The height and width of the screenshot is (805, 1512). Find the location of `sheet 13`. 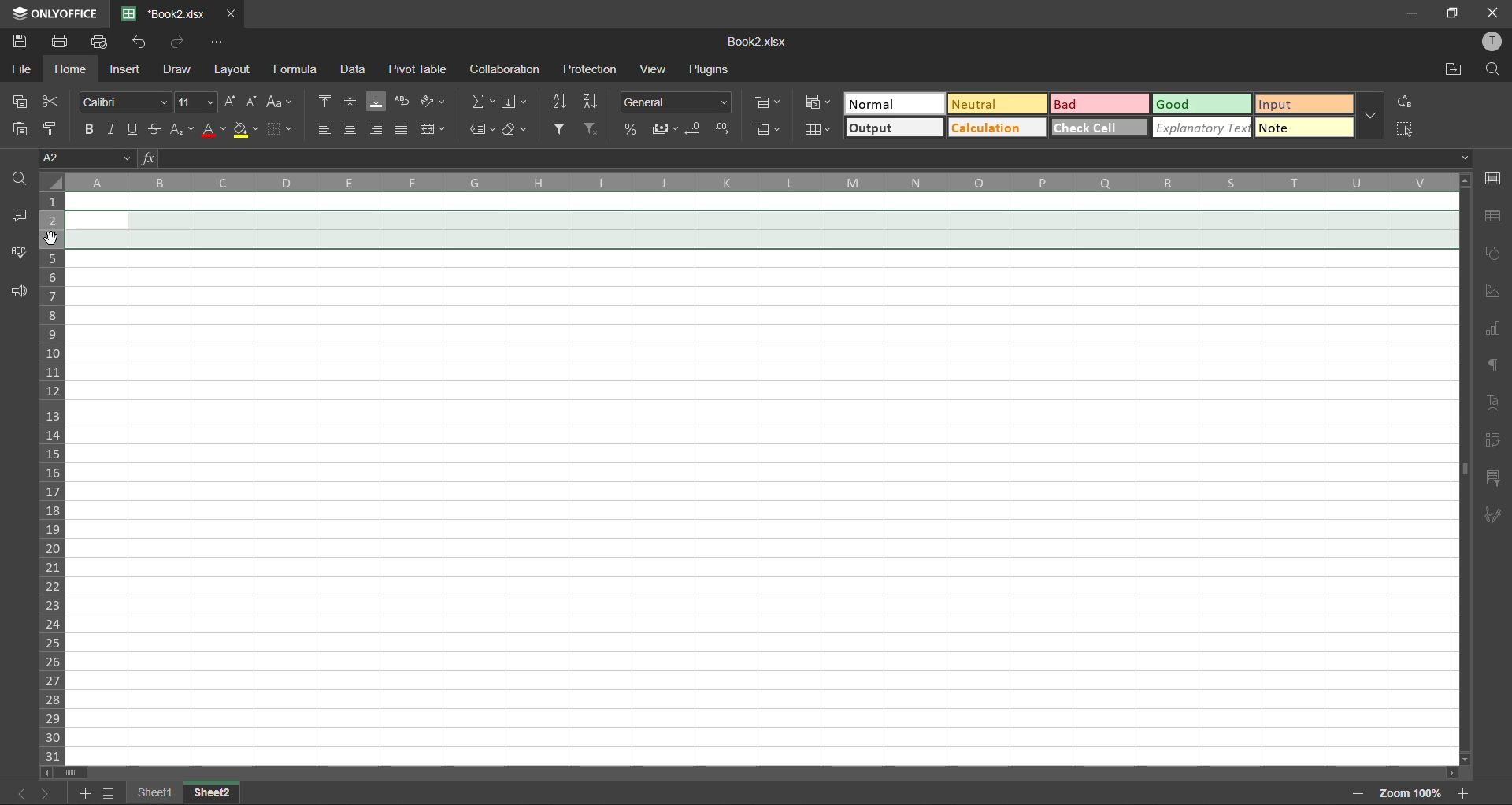

sheet 13 is located at coordinates (213, 792).